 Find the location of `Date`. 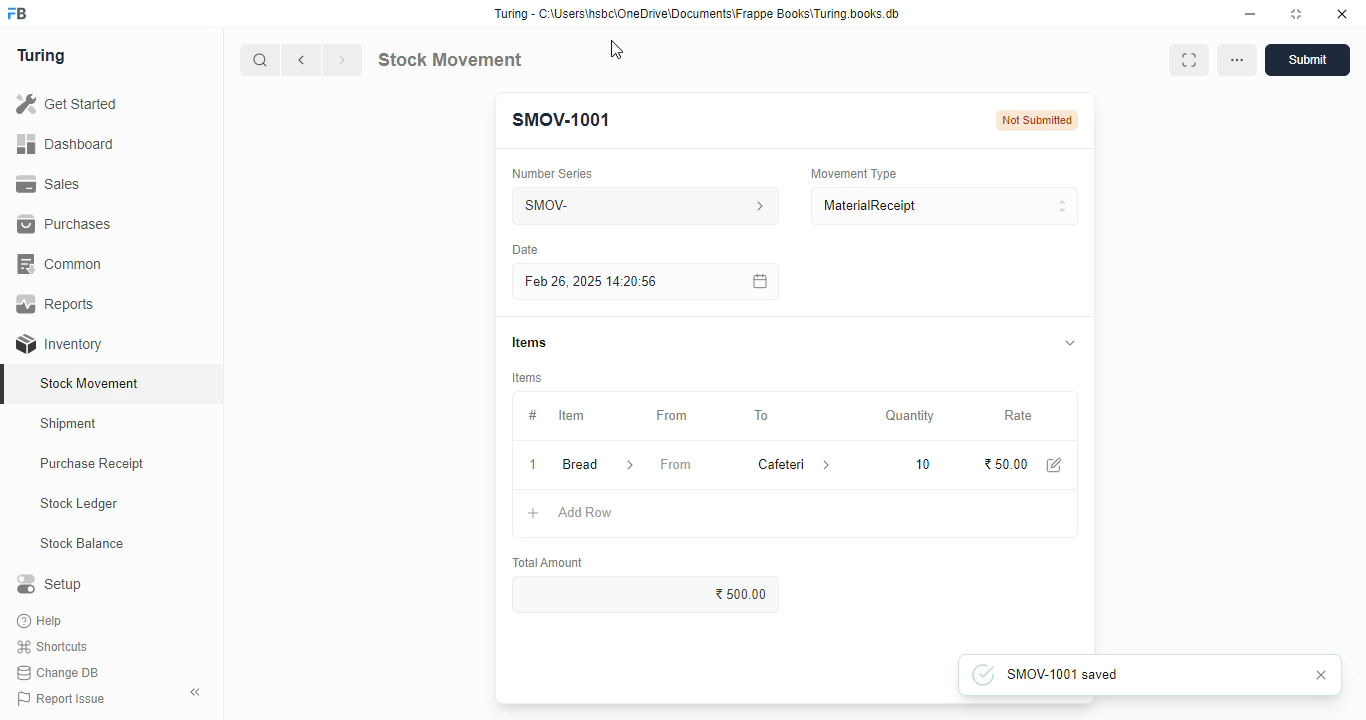

Date is located at coordinates (525, 249).